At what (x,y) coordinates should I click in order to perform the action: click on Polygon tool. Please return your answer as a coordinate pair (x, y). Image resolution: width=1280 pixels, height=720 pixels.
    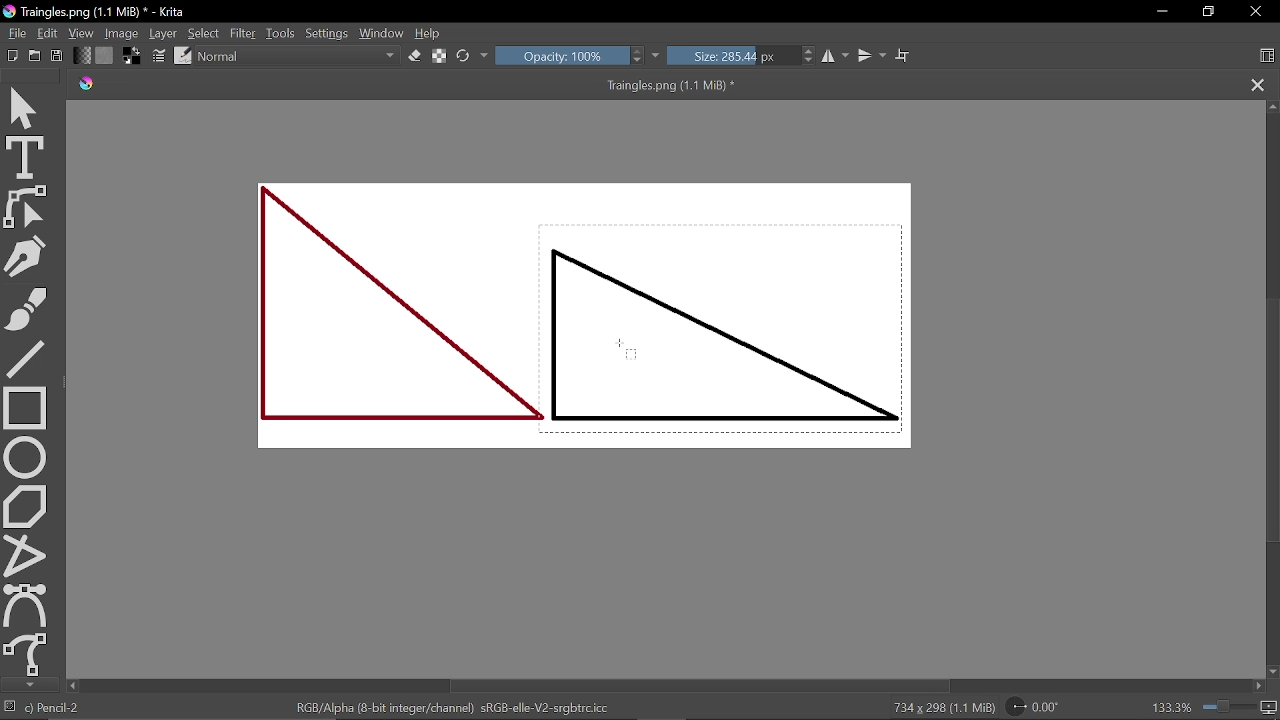
    Looking at the image, I should click on (26, 506).